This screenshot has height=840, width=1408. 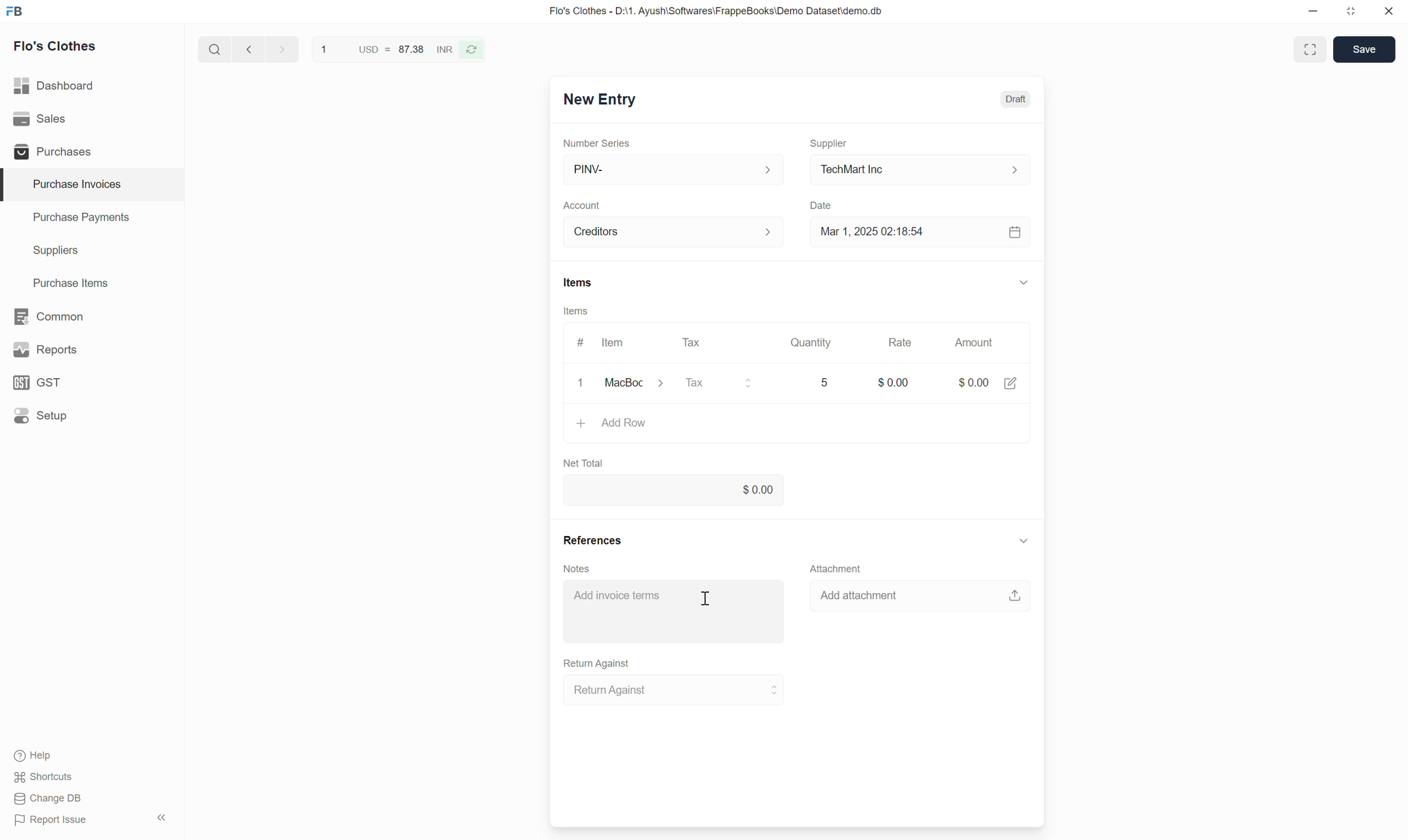 I want to click on Attachment, so click(x=836, y=568).